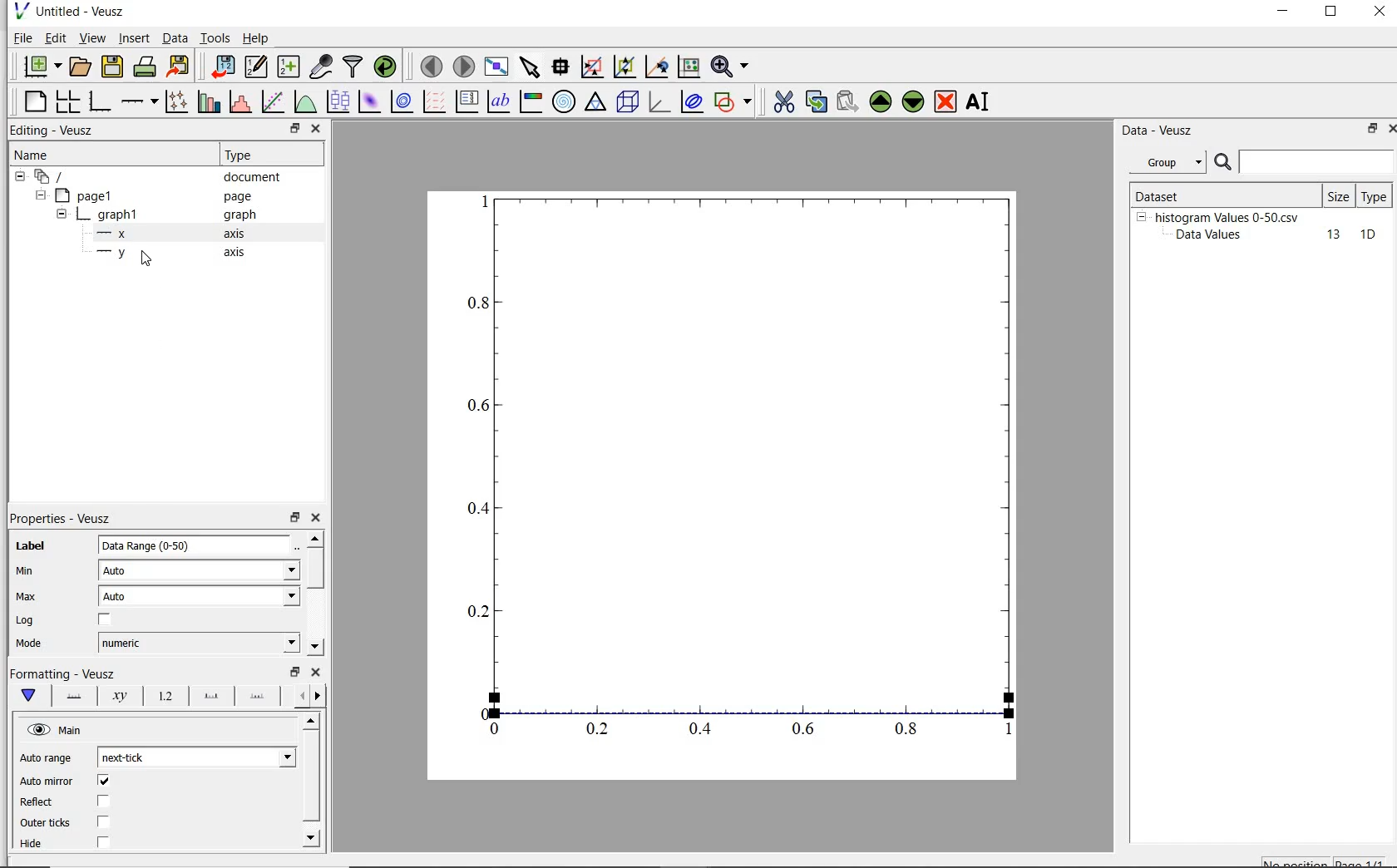  I want to click on checkbox, so click(103, 843).